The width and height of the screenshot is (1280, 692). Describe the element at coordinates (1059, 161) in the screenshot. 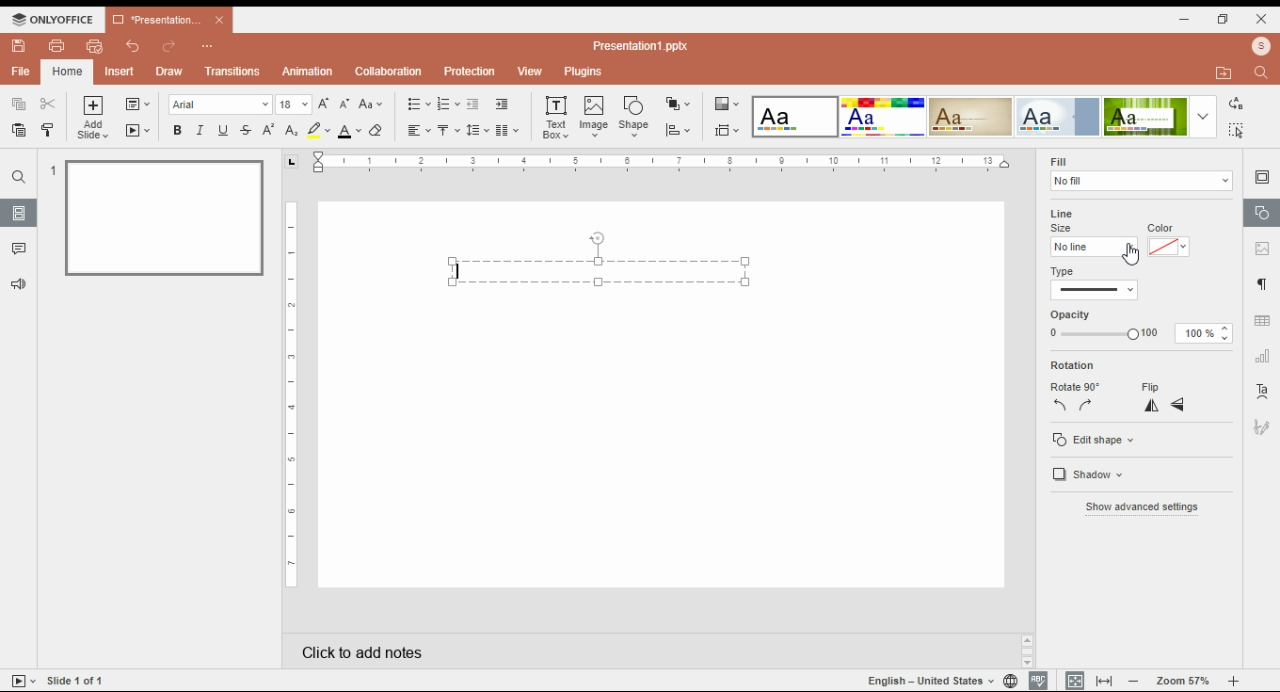

I see `fill` at that location.